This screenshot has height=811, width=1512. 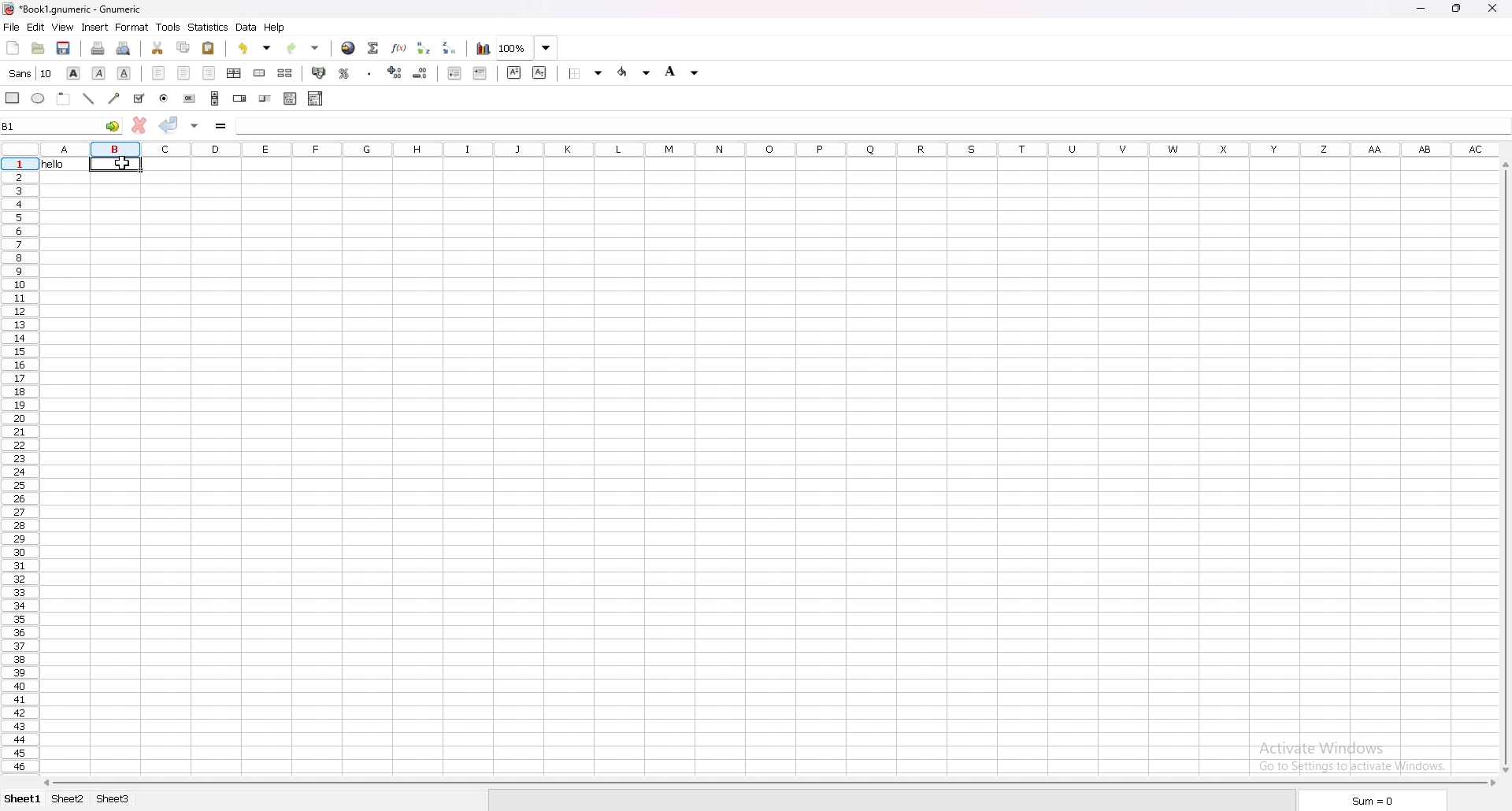 What do you see at coordinates (72, 9) in the screenshot?
I see `gnumeric` at bounding box center [72, 9].